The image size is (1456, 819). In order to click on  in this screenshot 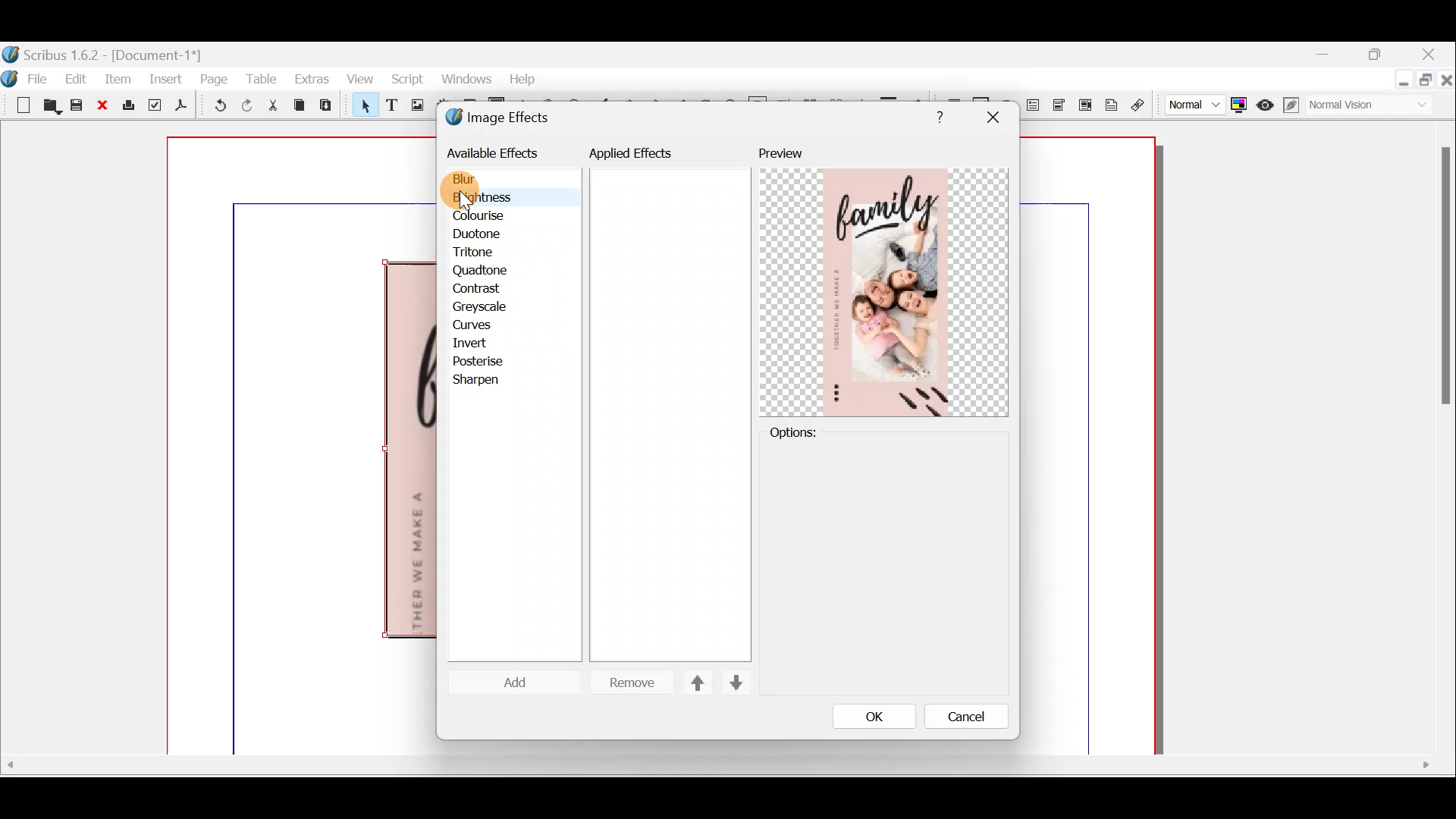, I will do `click(1442, 283)`.